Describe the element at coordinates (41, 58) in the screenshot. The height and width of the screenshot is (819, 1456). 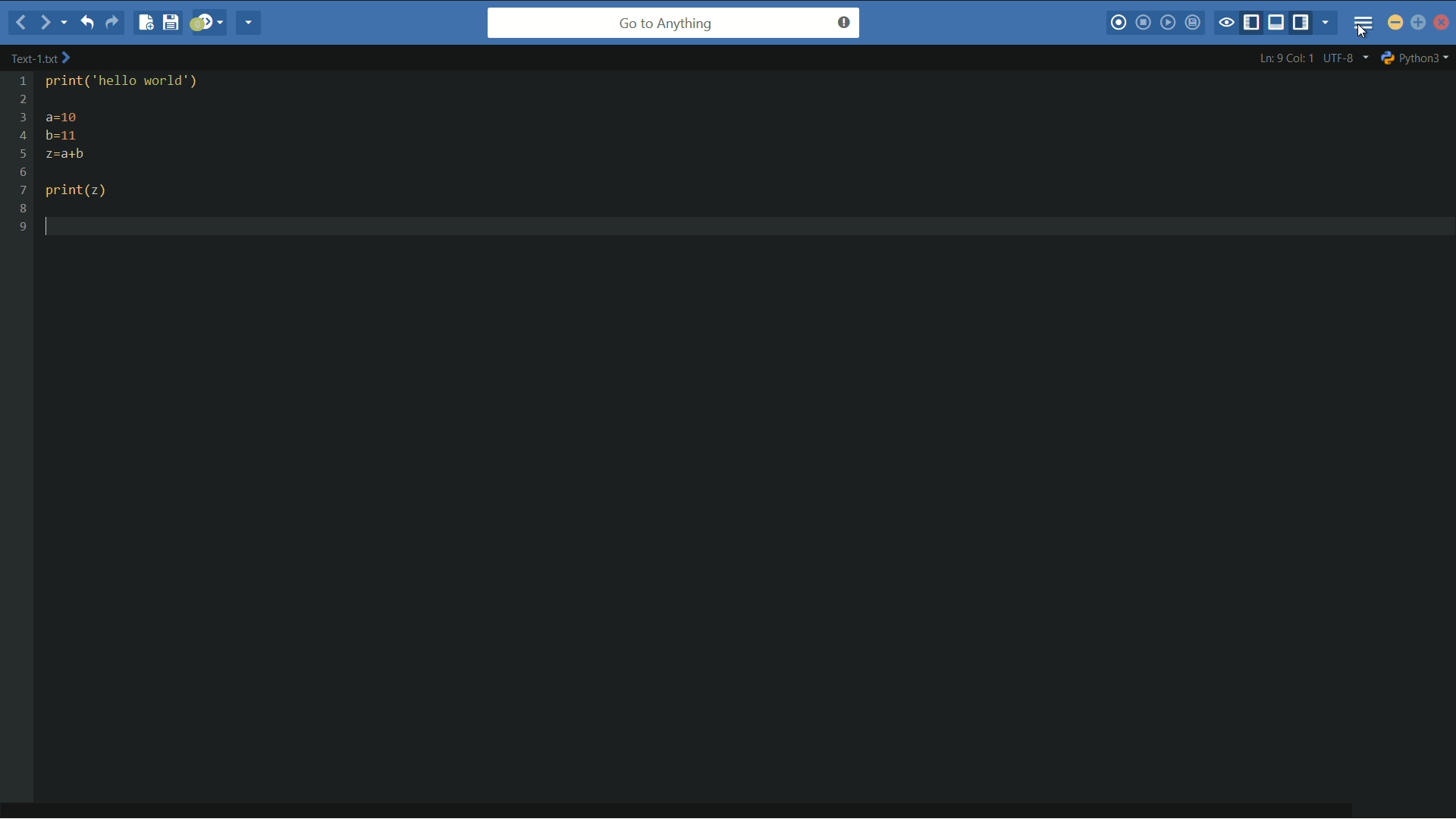
I see `text-2.txt` at that location.